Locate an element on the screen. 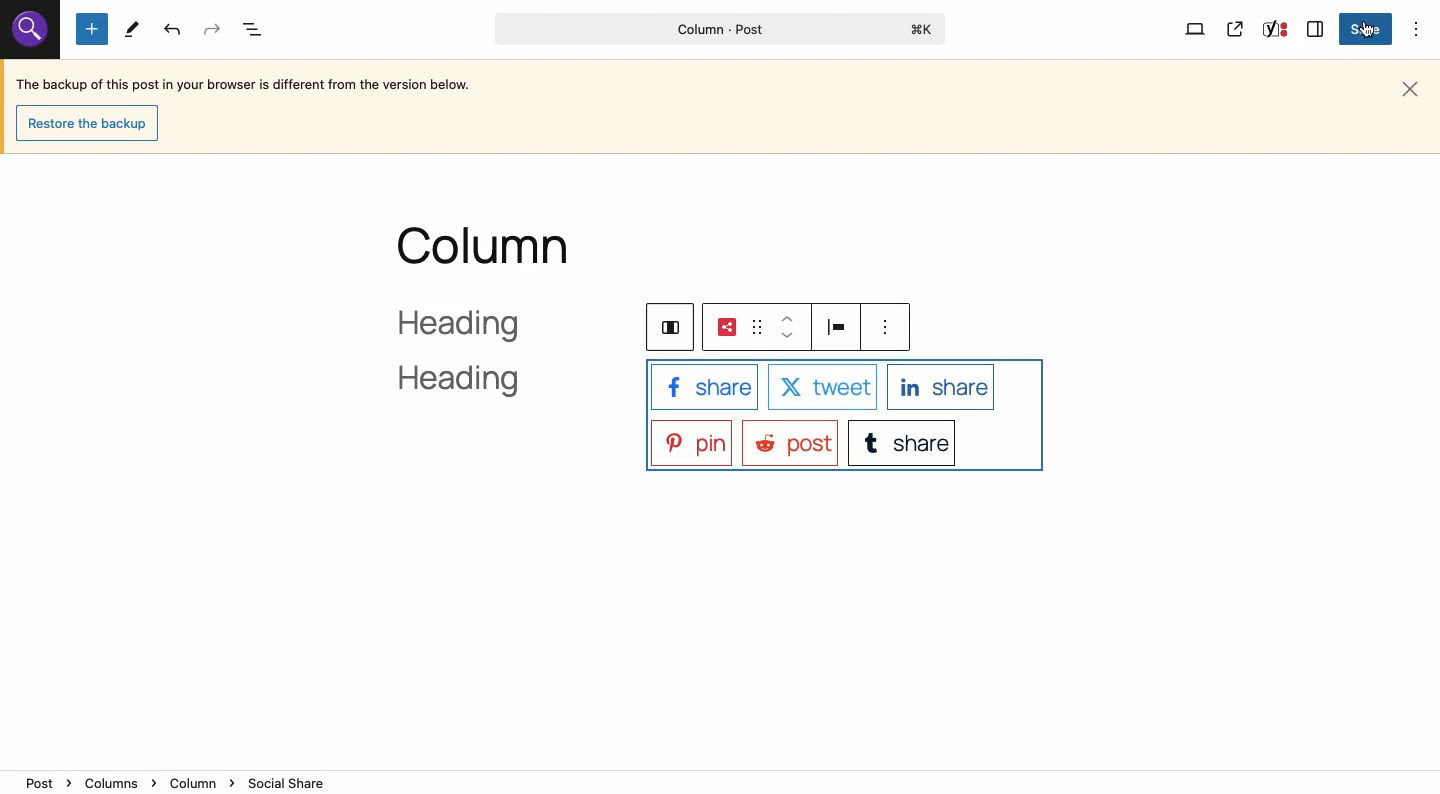 The image size is (1440, 794). Facebook is located at coordinates (703, 386).